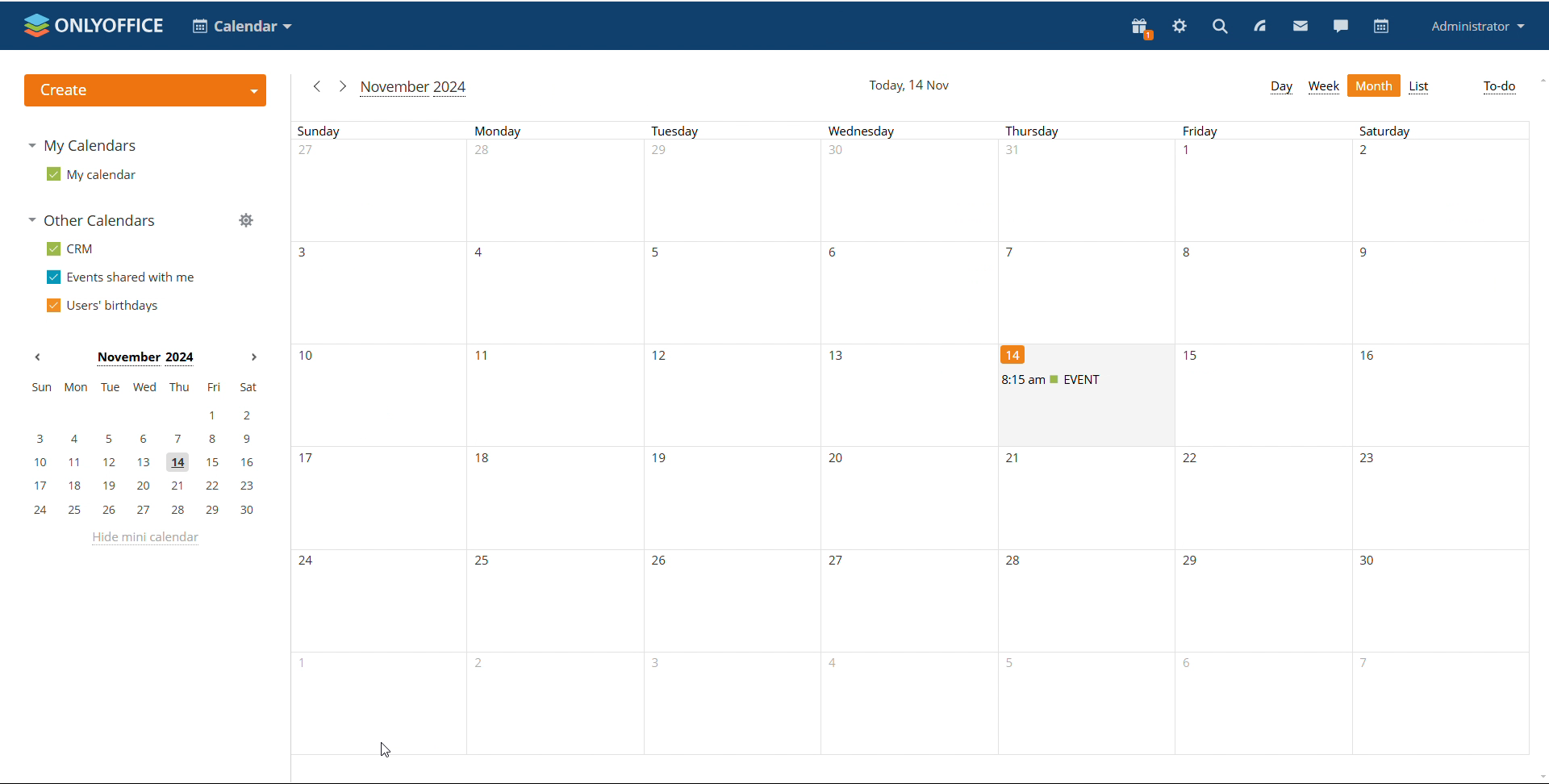  Describe the element at coordinates (918, 128) in the screenshot. I see `Sunday, Monday, Tuesday, Wednesday, Thursday, Friday, Saturday ` at that location.